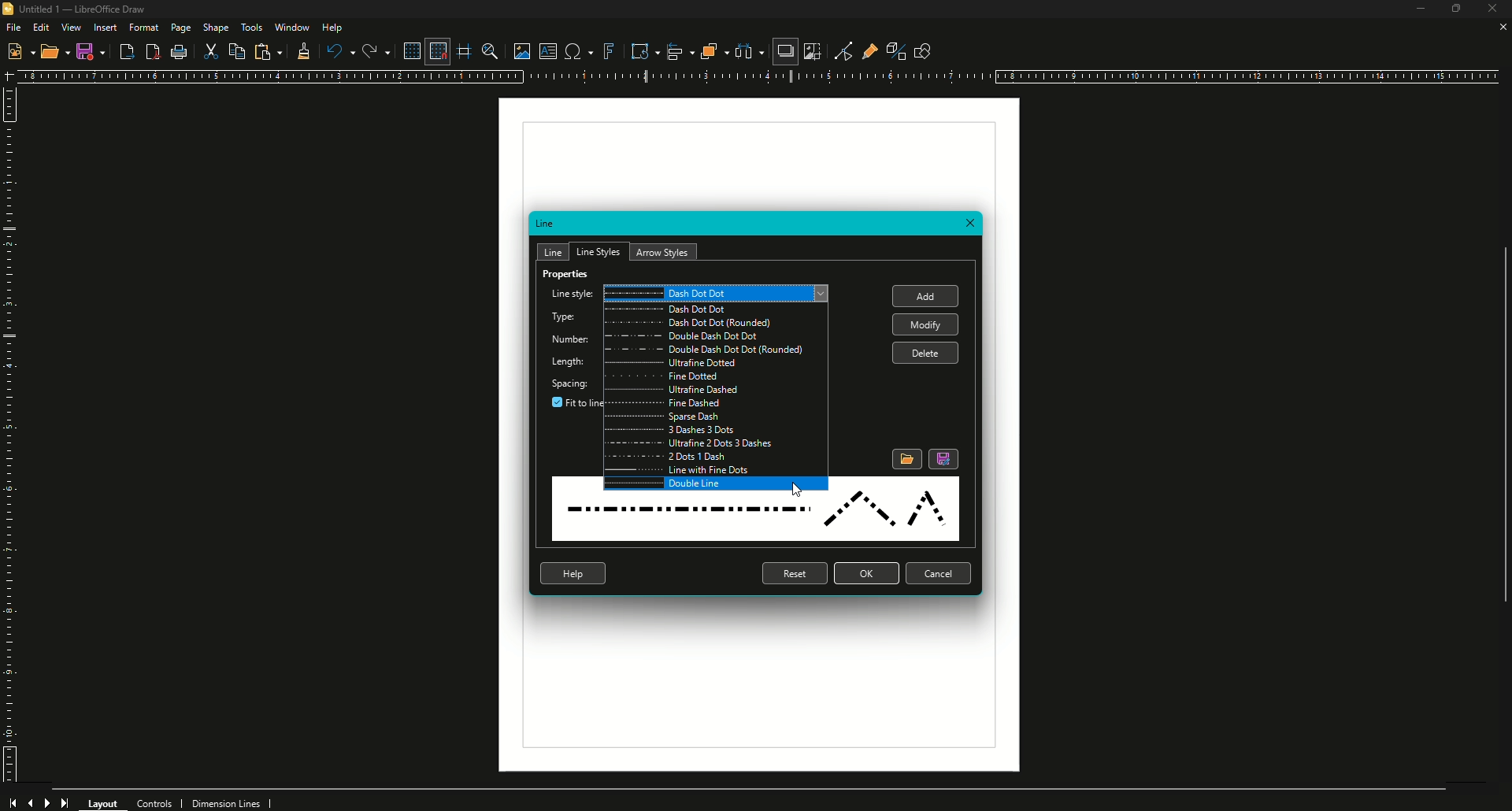 The width and height of the screenshot is (1512, 811). Describe the element at coordinates (906, 458) in the screenshot. I see `Load Line Style` at that location.